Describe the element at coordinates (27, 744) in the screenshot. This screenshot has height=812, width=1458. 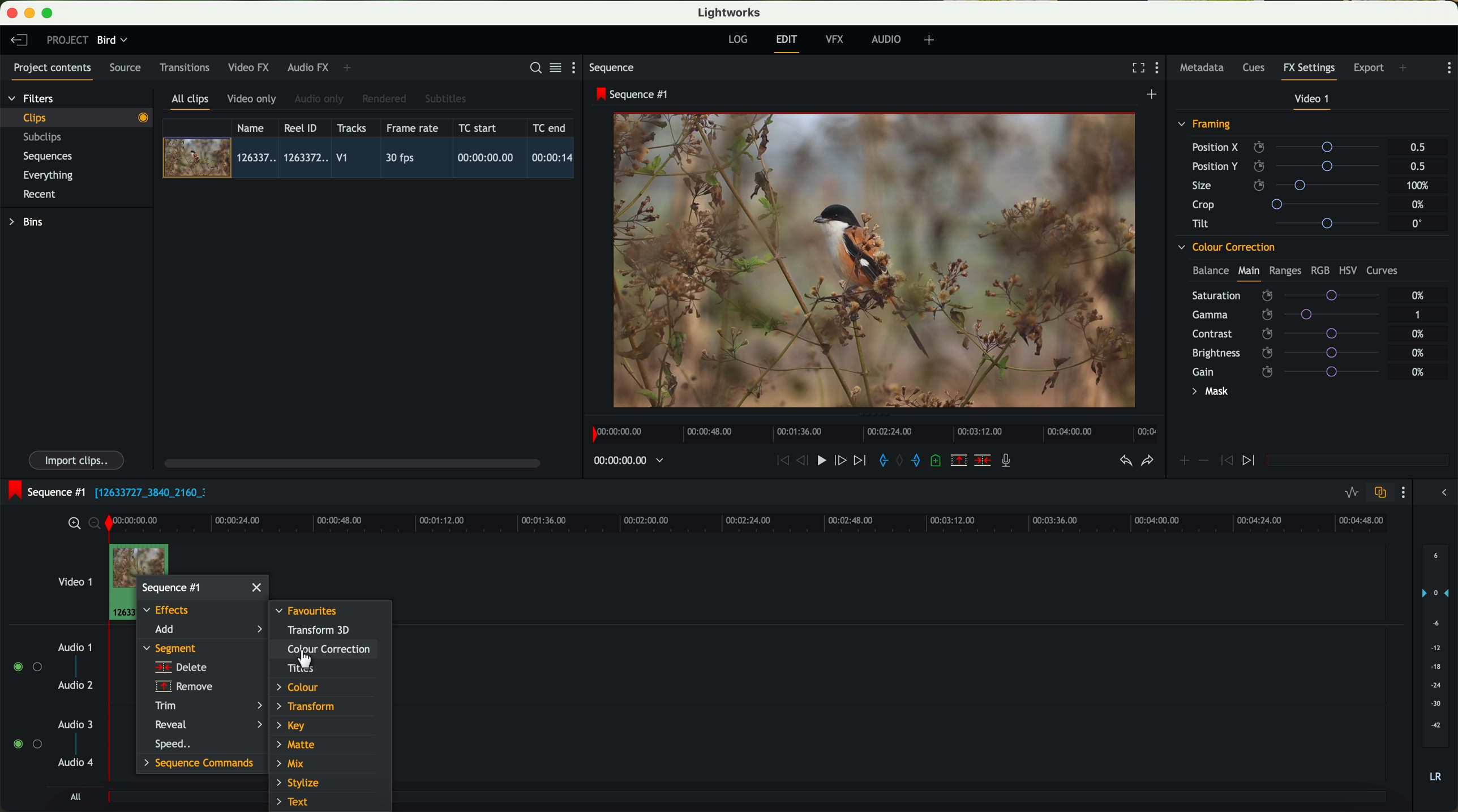
I see `enable audio` at that location.